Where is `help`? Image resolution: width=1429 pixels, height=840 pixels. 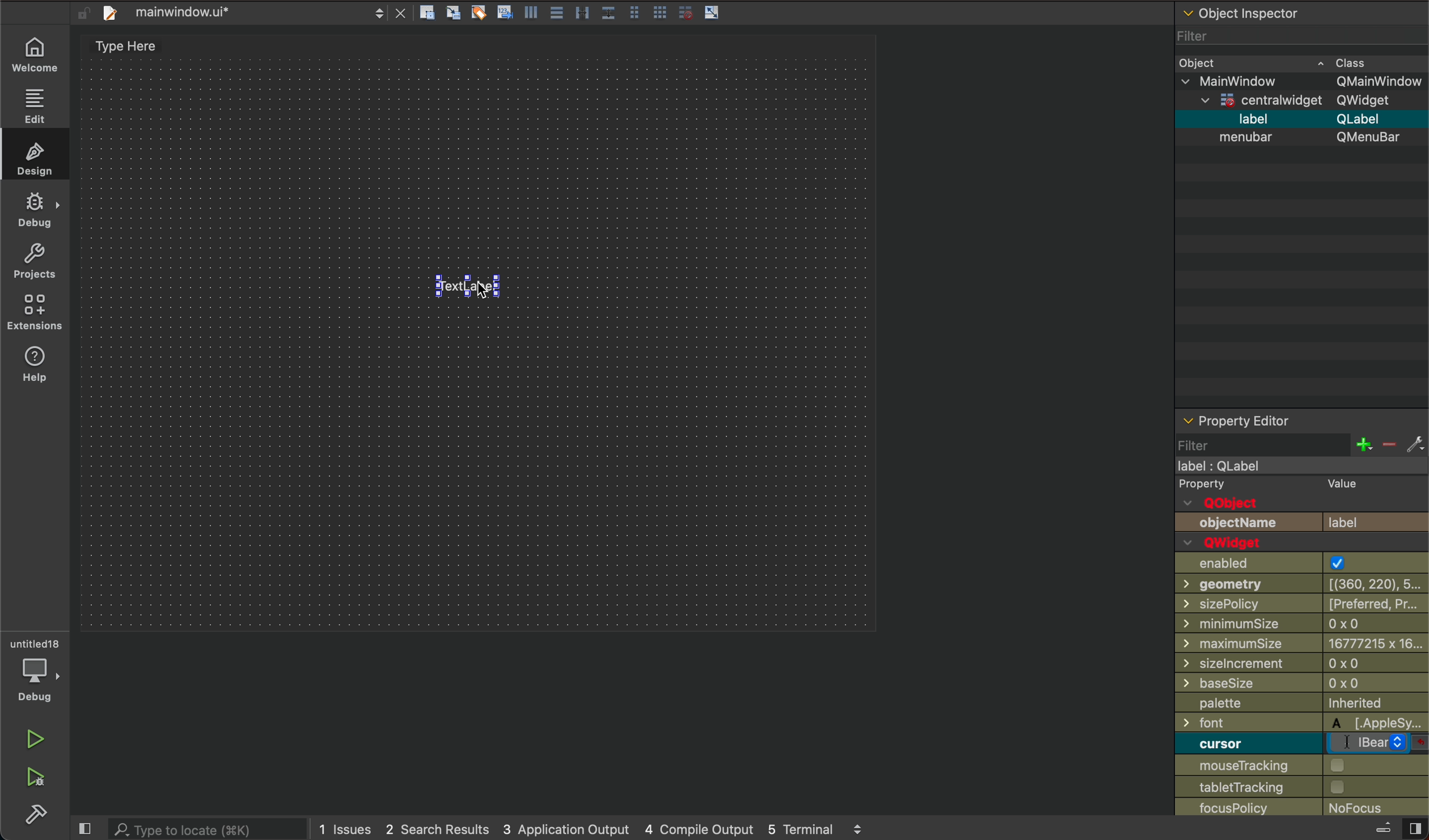
help is located at coordinates (35, 365).